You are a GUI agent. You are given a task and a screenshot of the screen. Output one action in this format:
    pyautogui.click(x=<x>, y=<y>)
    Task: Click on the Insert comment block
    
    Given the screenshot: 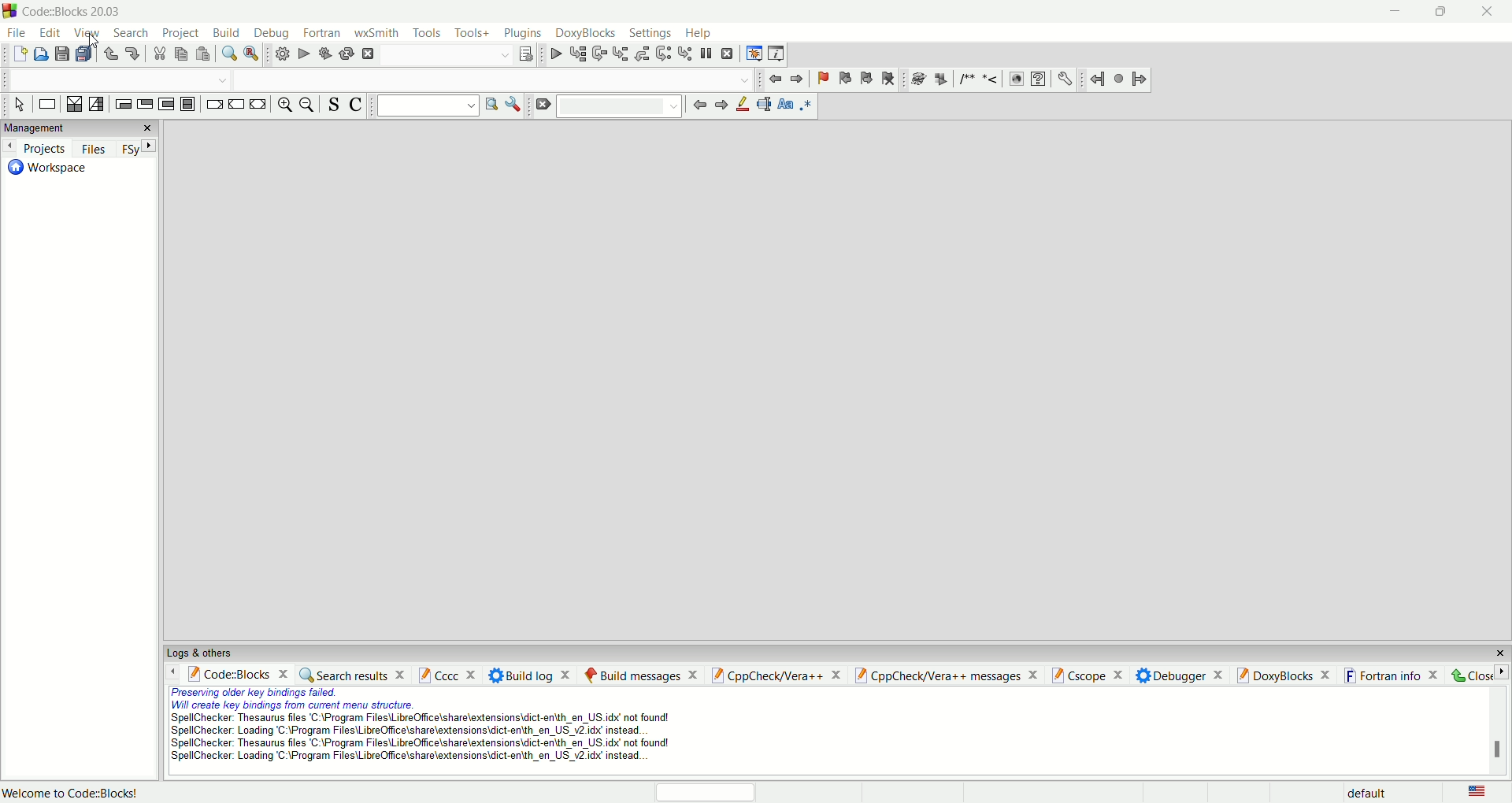 What is the action you would take?
    pyautogui.click(x=965, y=78)
    